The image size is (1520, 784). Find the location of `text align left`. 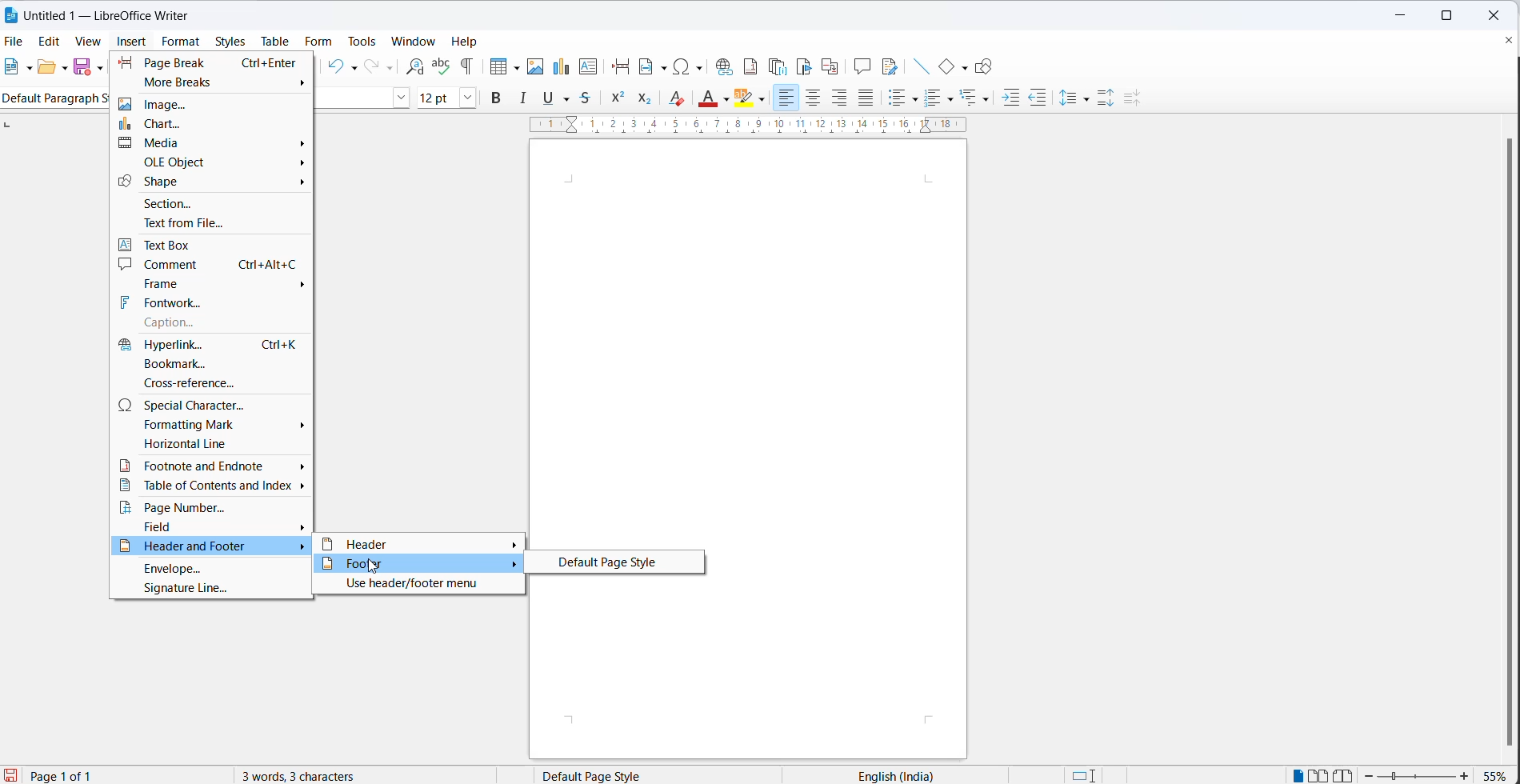

text align left is located at coordinates (787, 98).